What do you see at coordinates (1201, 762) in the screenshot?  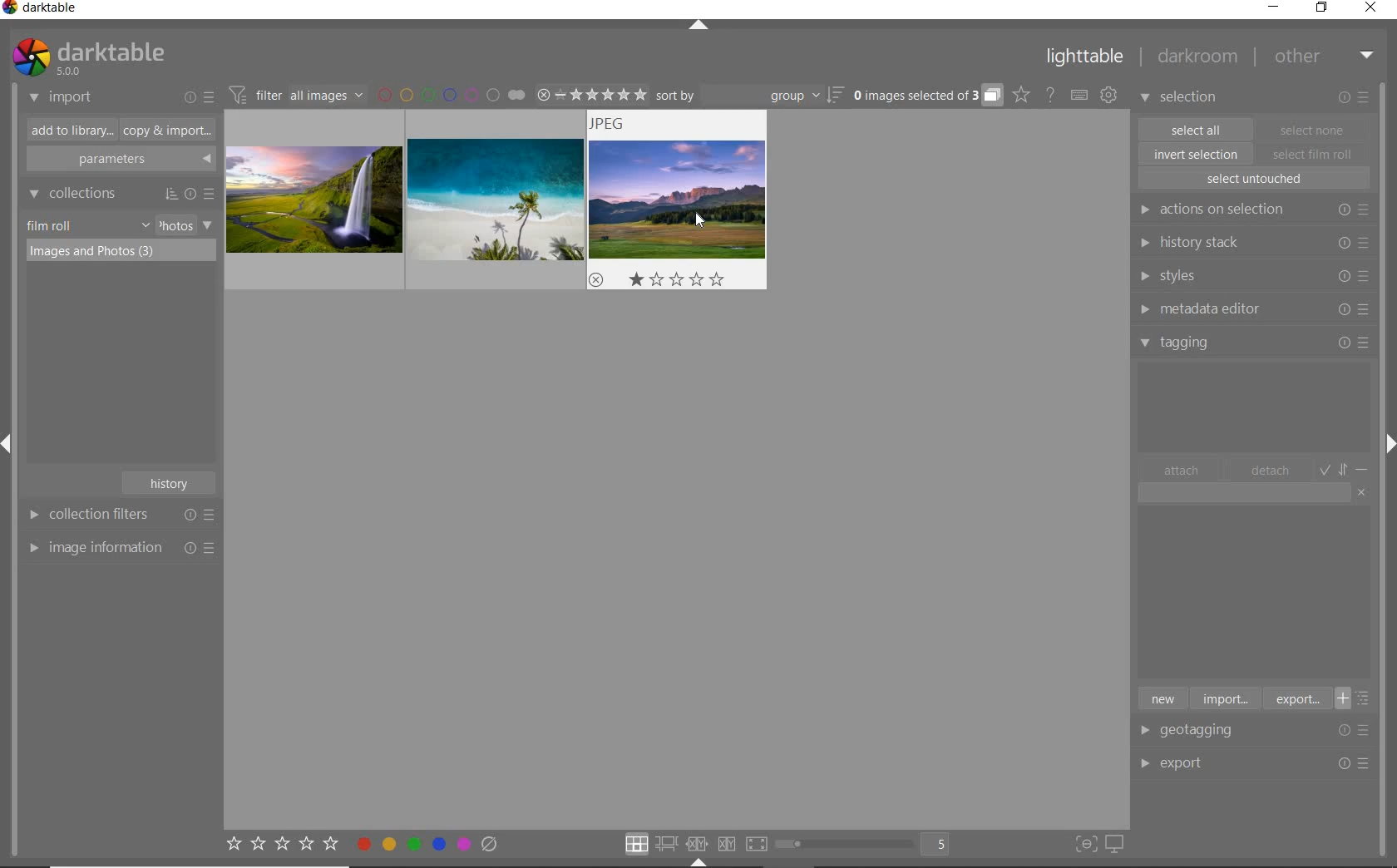 I see `export` at bounding box center [1201, 762].